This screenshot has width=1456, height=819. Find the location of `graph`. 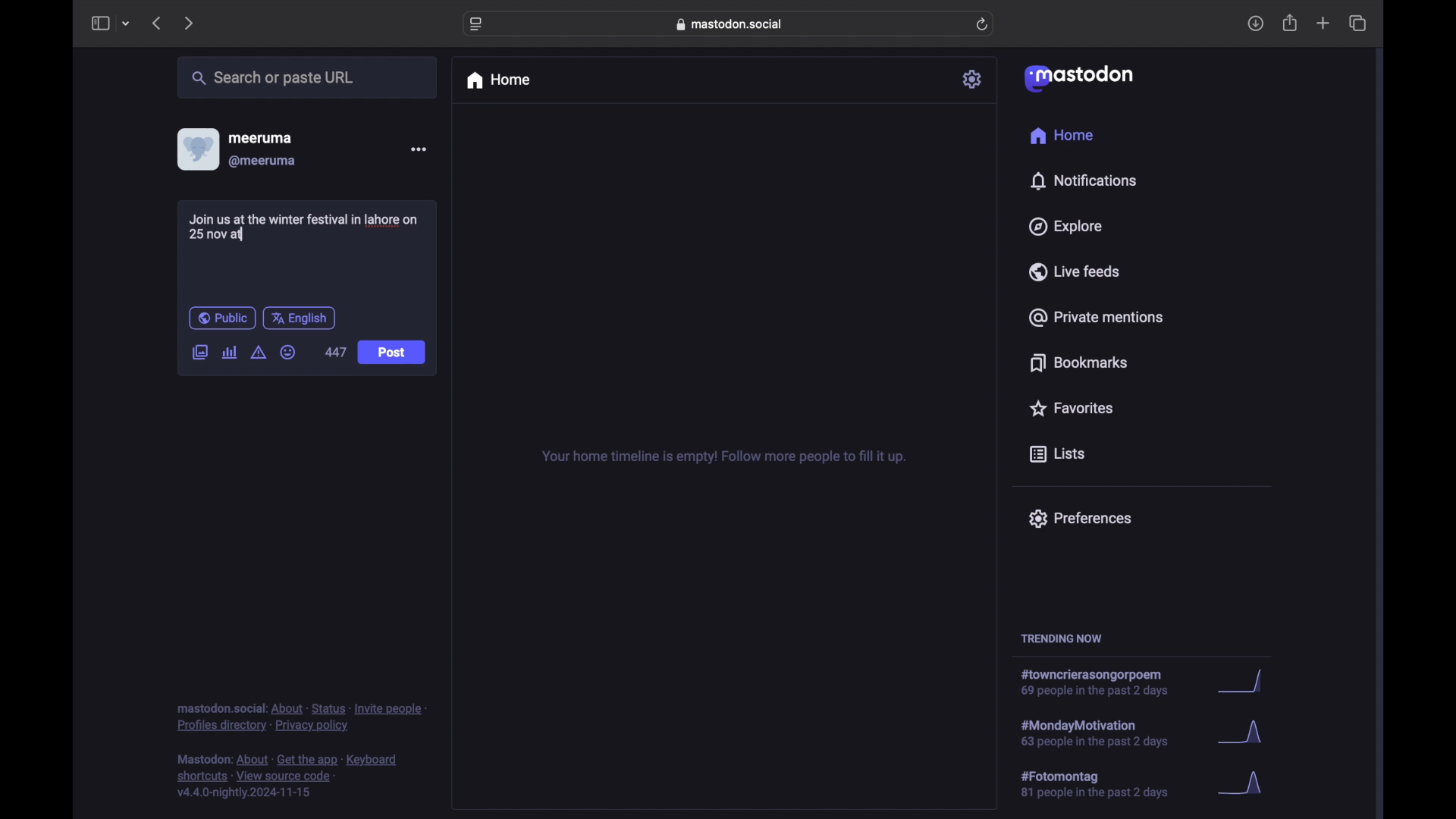

graph is located at coordinates (1244, 682).